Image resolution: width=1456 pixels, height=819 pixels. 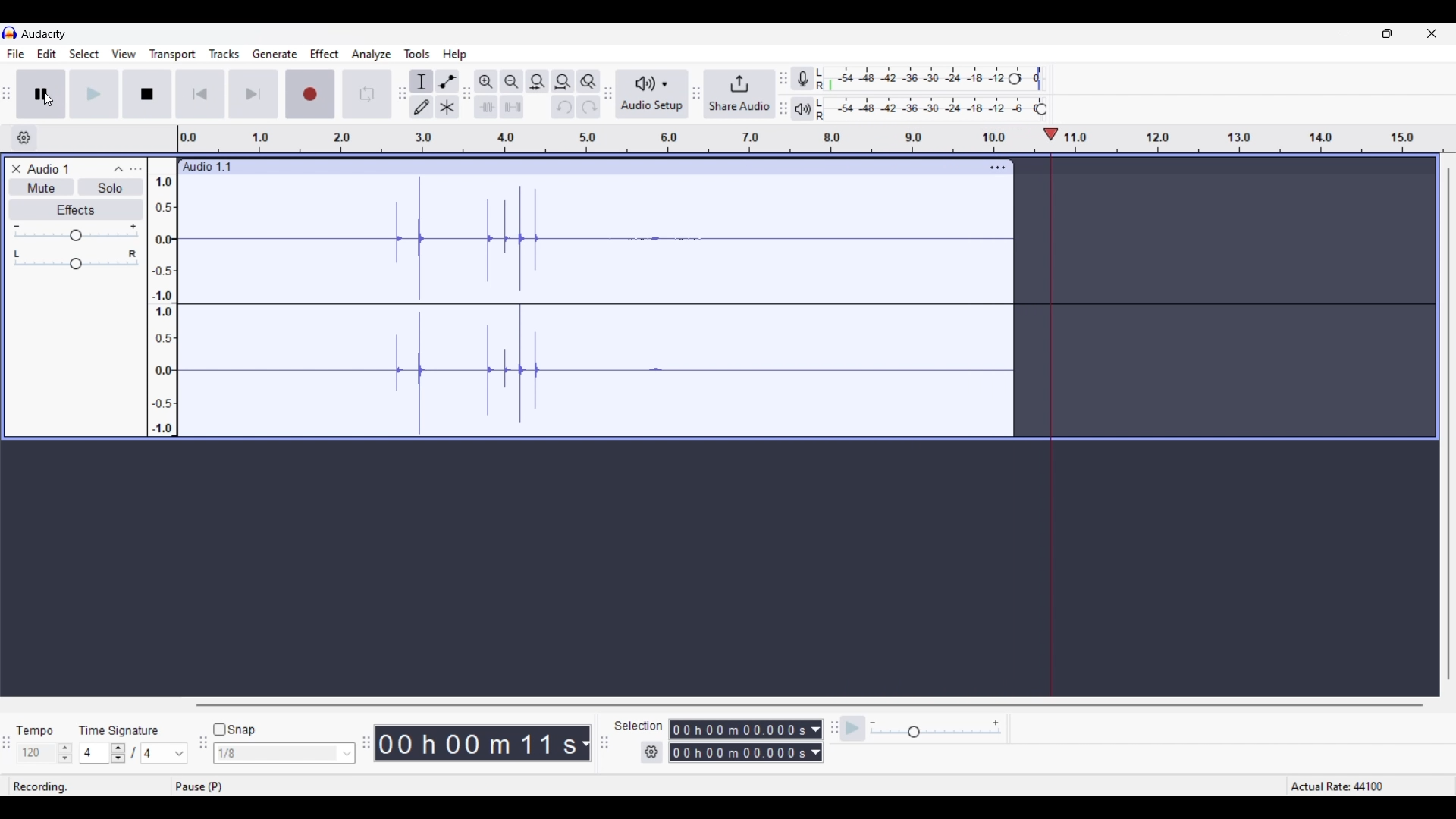 I want to click on Measurement for record audio duration, so click(x=585, y=744).